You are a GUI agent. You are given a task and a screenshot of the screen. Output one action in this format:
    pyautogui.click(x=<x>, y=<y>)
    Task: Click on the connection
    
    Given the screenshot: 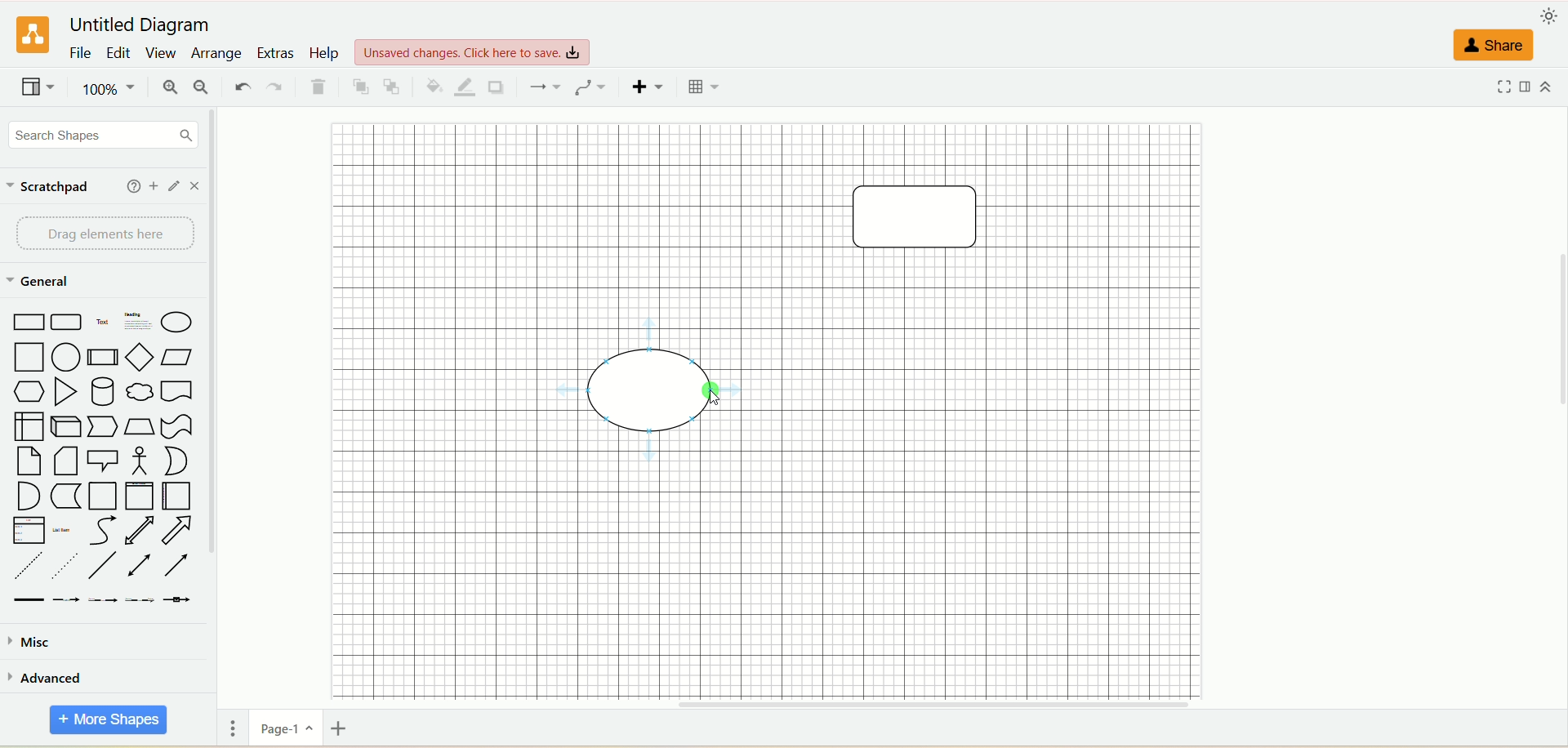 What is the action you would take?
    pyautogui.click(x=543, y=86)
    